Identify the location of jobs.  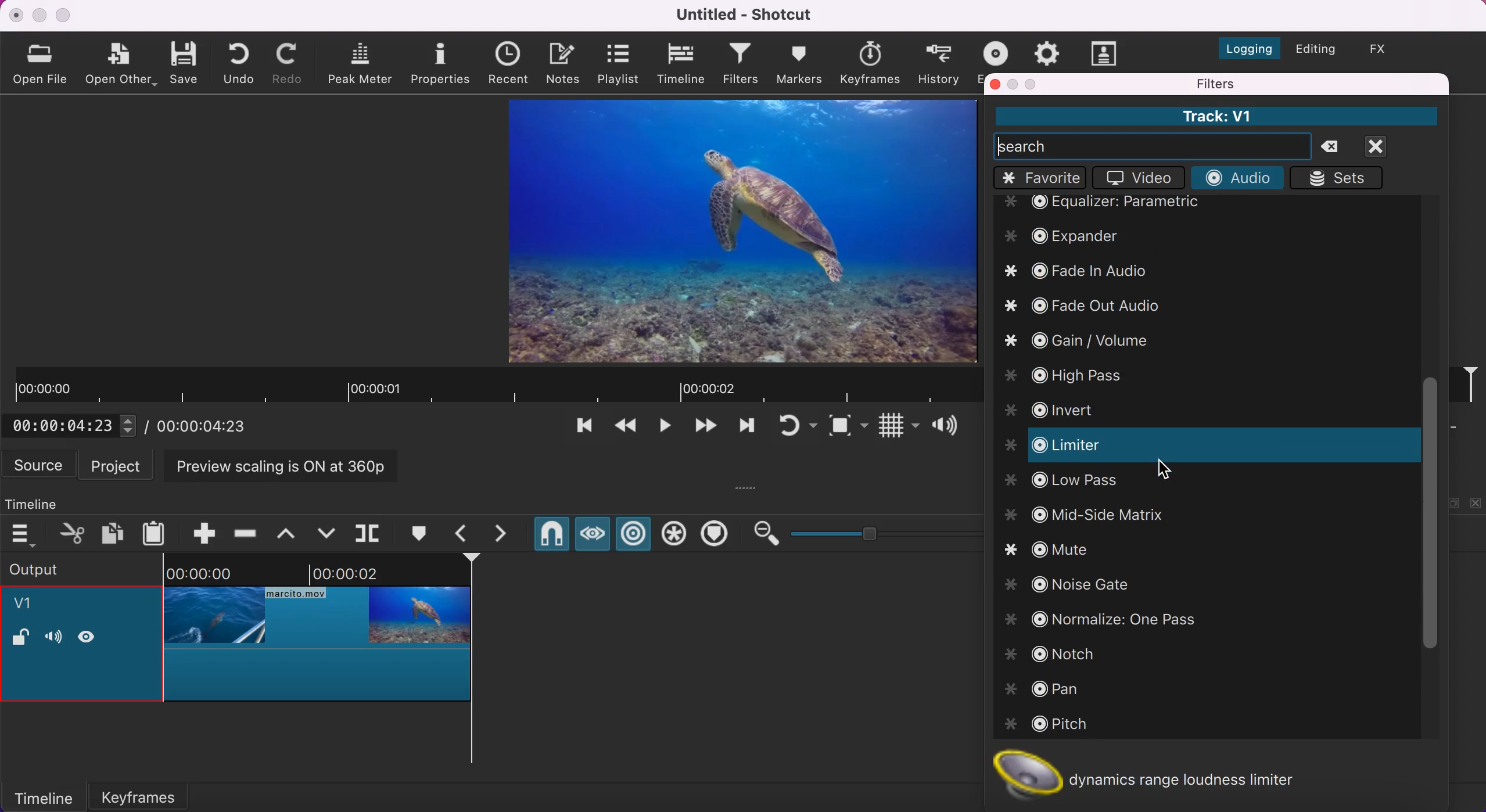
(1047, 51).